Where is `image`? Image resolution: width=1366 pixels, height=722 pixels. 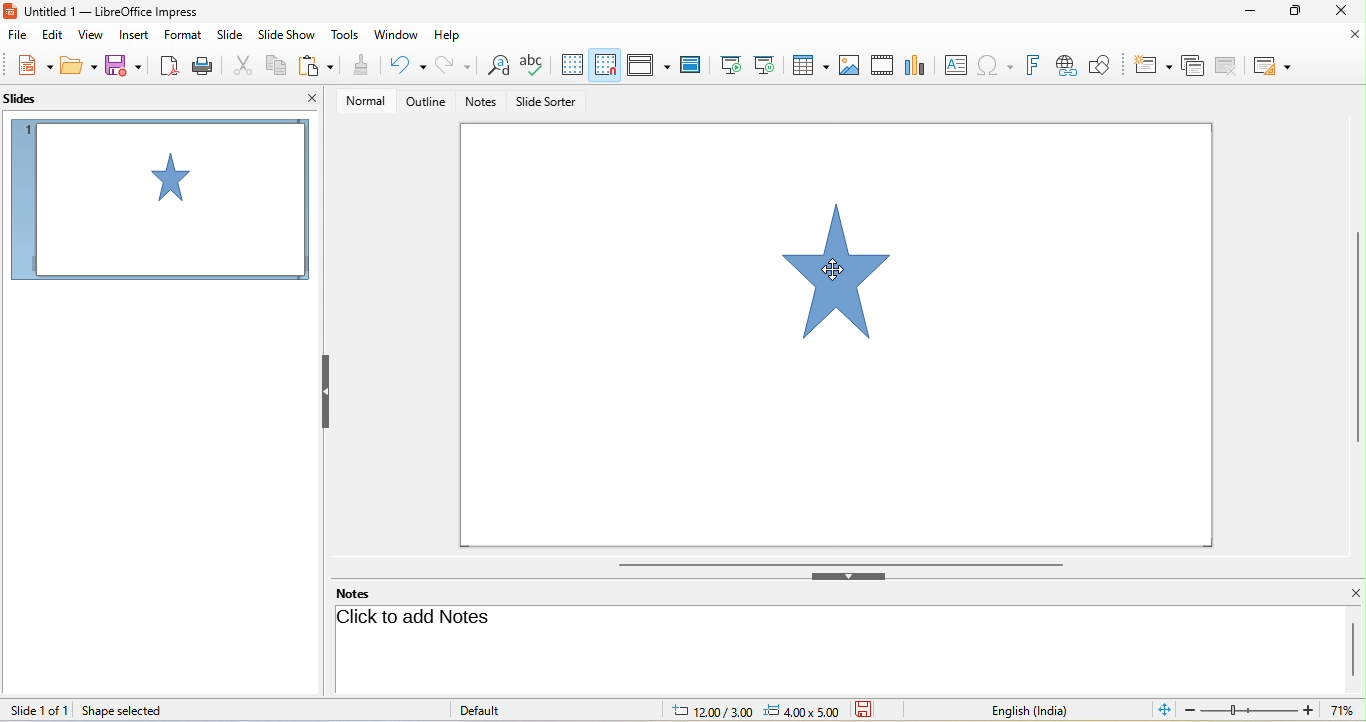
image is located at coordinates (847, 65).